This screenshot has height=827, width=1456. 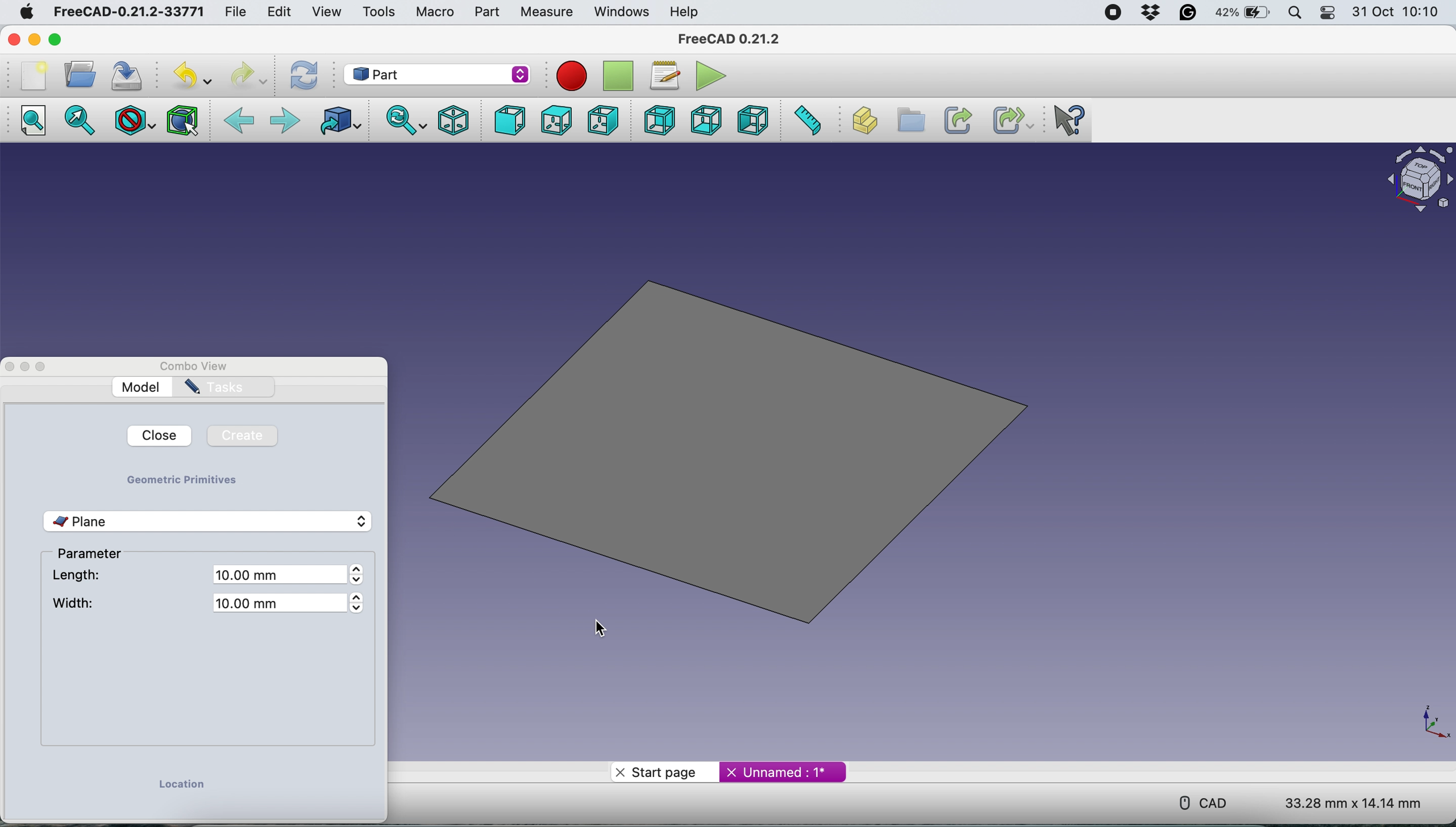 I want to click on xy coordinates, so click(x=1430, y=722).